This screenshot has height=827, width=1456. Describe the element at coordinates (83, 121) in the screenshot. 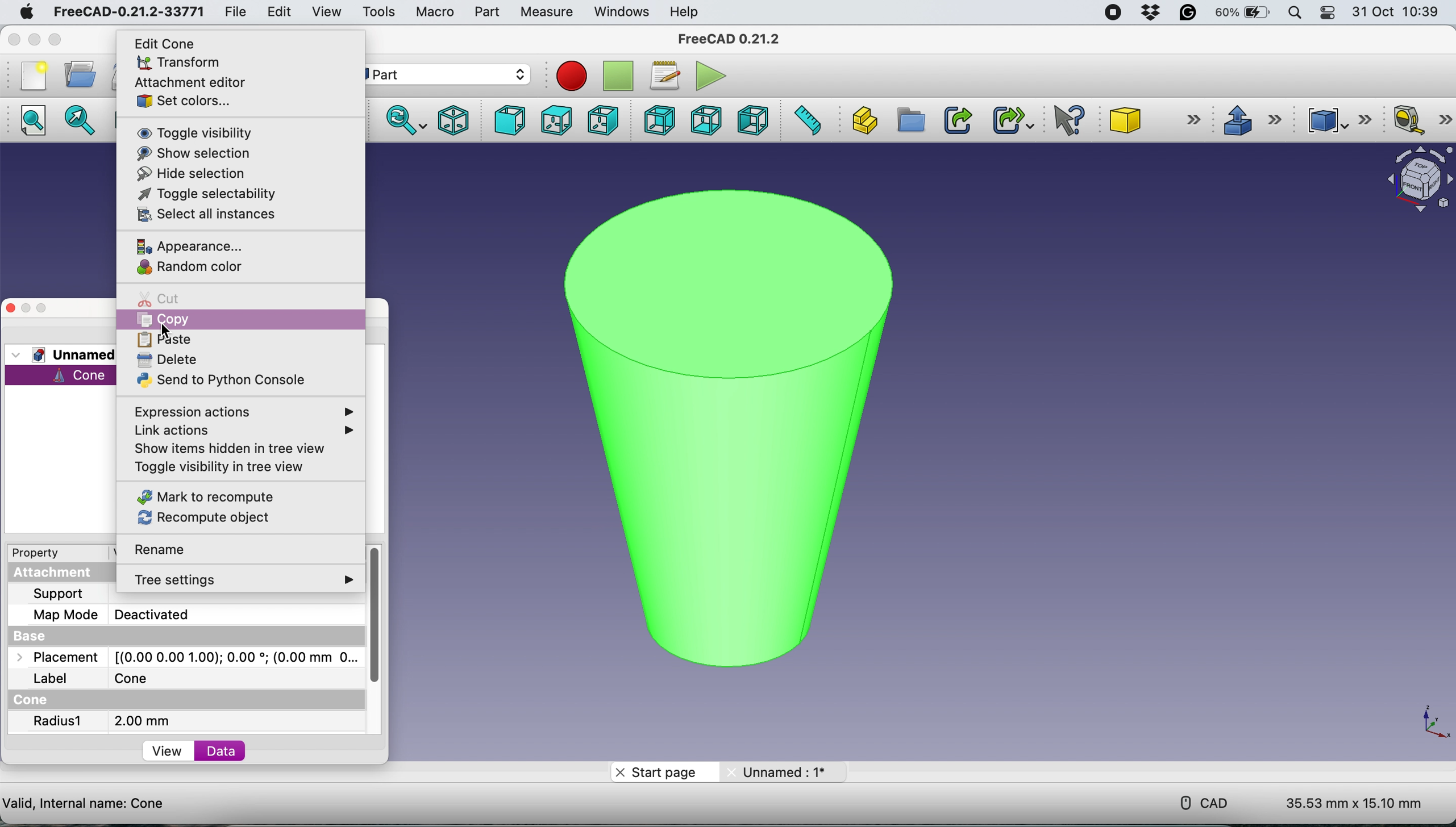

I see `fit selection` at that location.